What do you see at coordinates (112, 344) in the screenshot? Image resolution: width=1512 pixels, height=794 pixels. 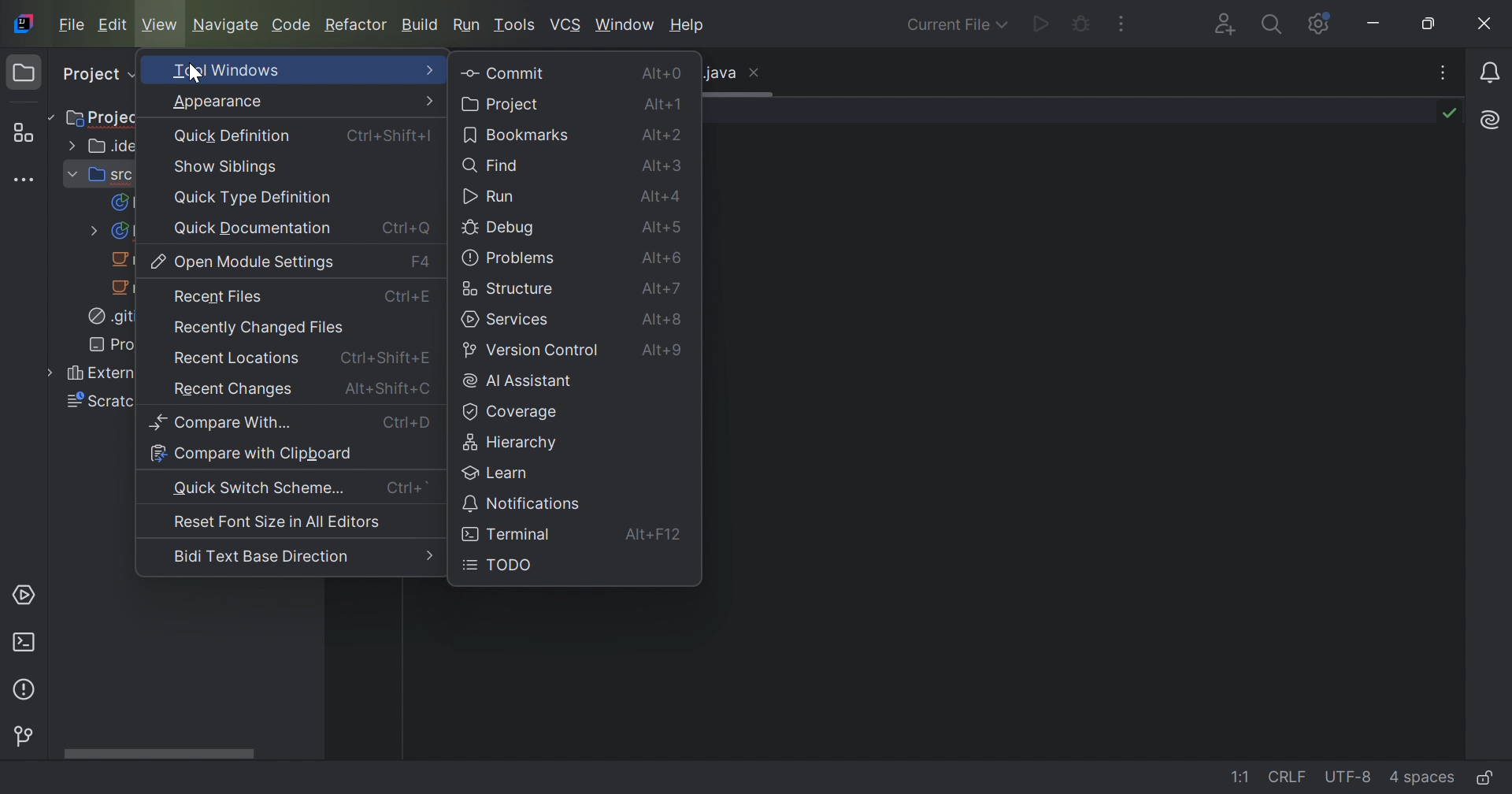 I see `Project.iml` at bounding box center [112, 344].